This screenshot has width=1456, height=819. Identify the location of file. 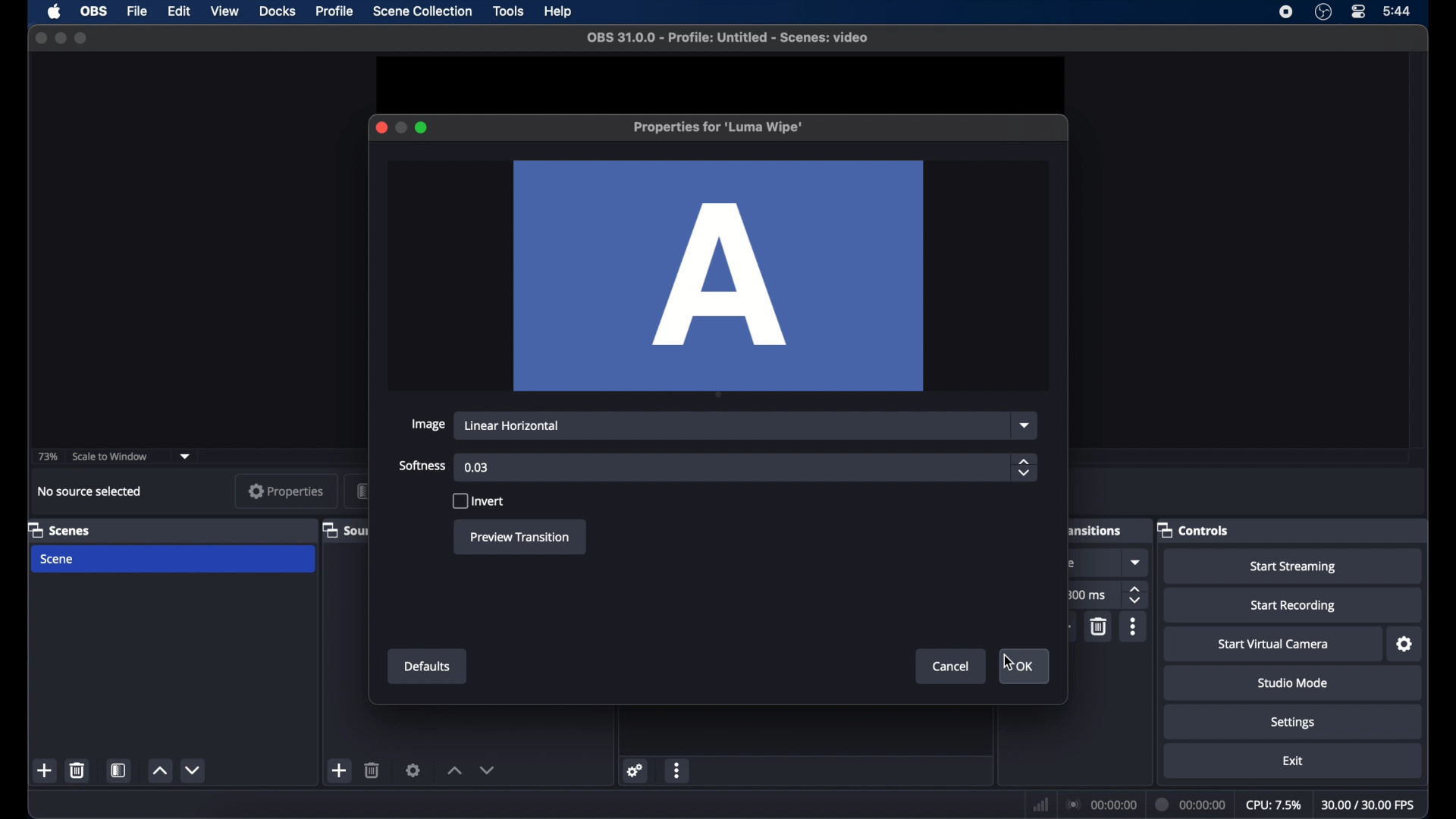
(137, 11).